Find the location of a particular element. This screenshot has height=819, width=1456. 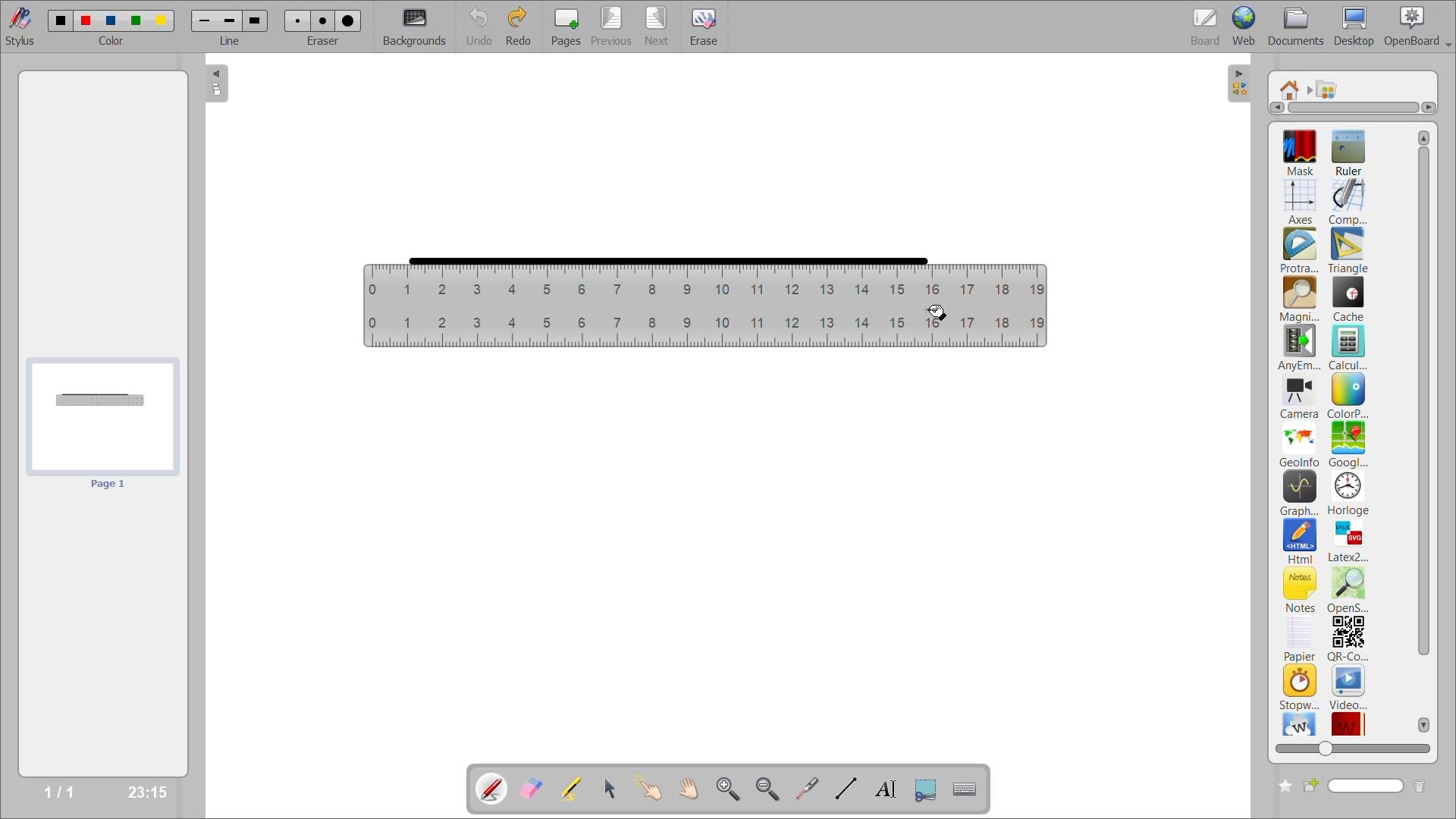

erase annotation is located at coordinates (533, 789).